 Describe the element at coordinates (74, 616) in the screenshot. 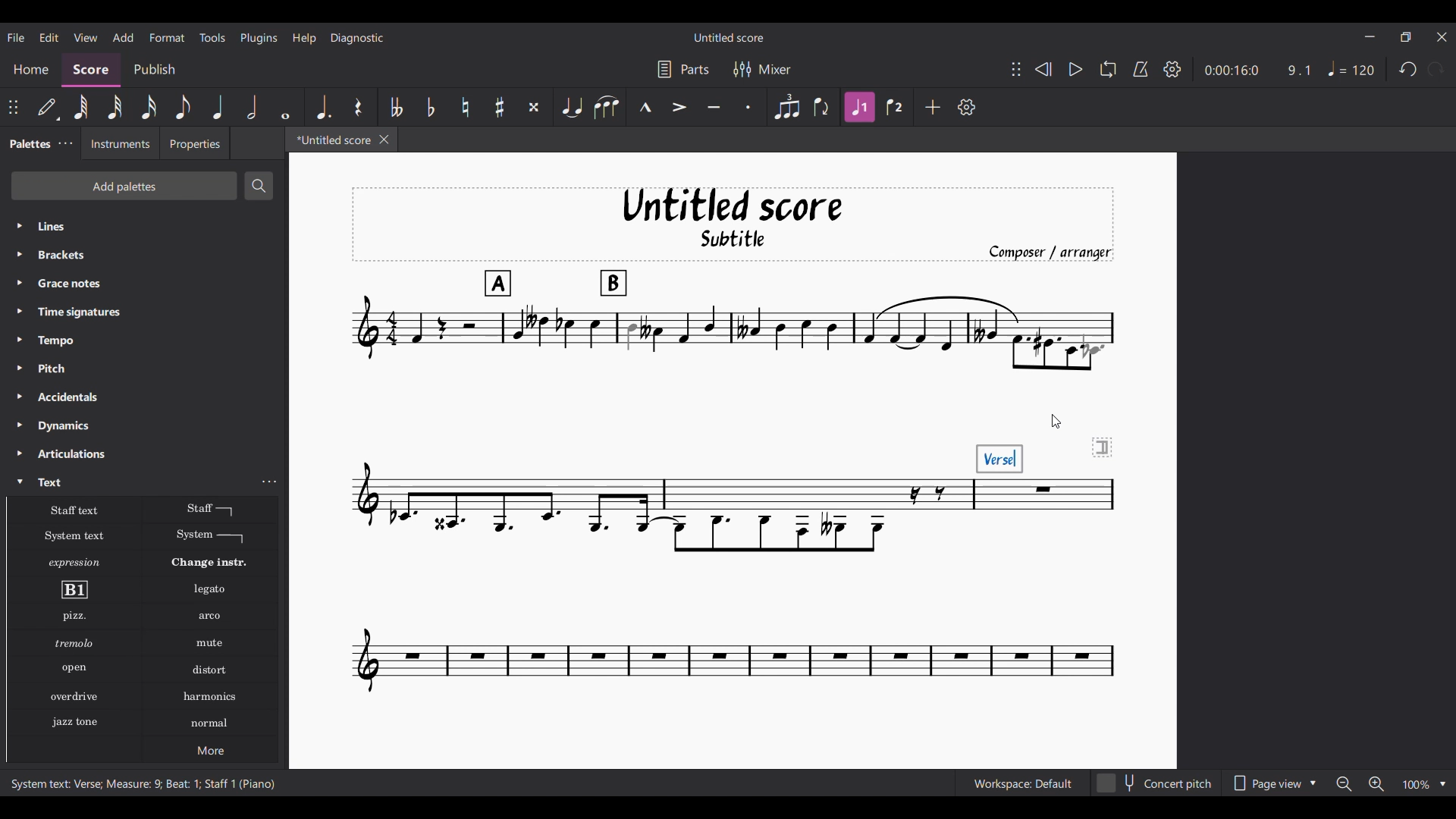

I see `Pizzicato` at that location.